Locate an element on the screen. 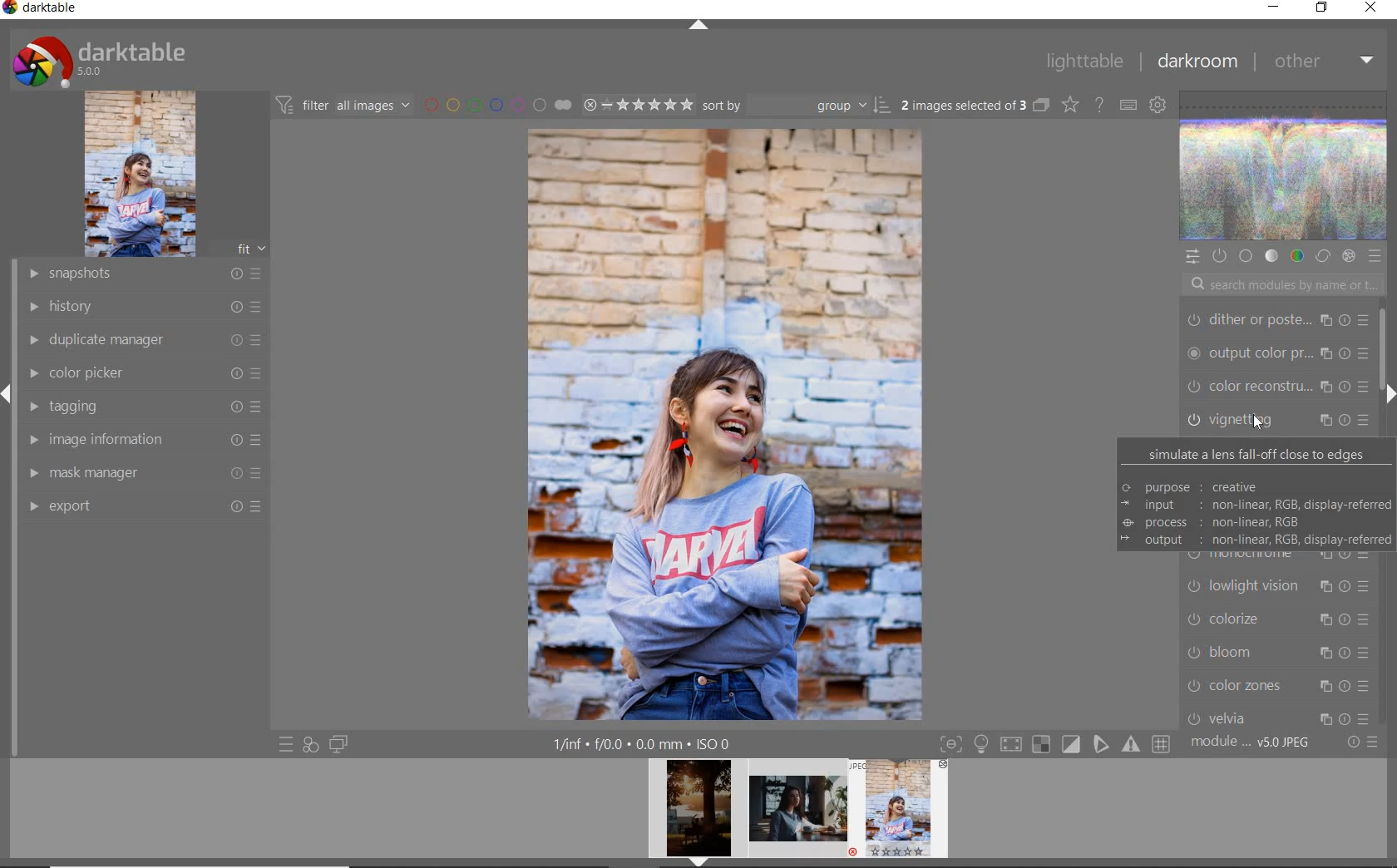 The width and height of the screenshot is (1397, 868). image preview is located at coordinates (904, 813).